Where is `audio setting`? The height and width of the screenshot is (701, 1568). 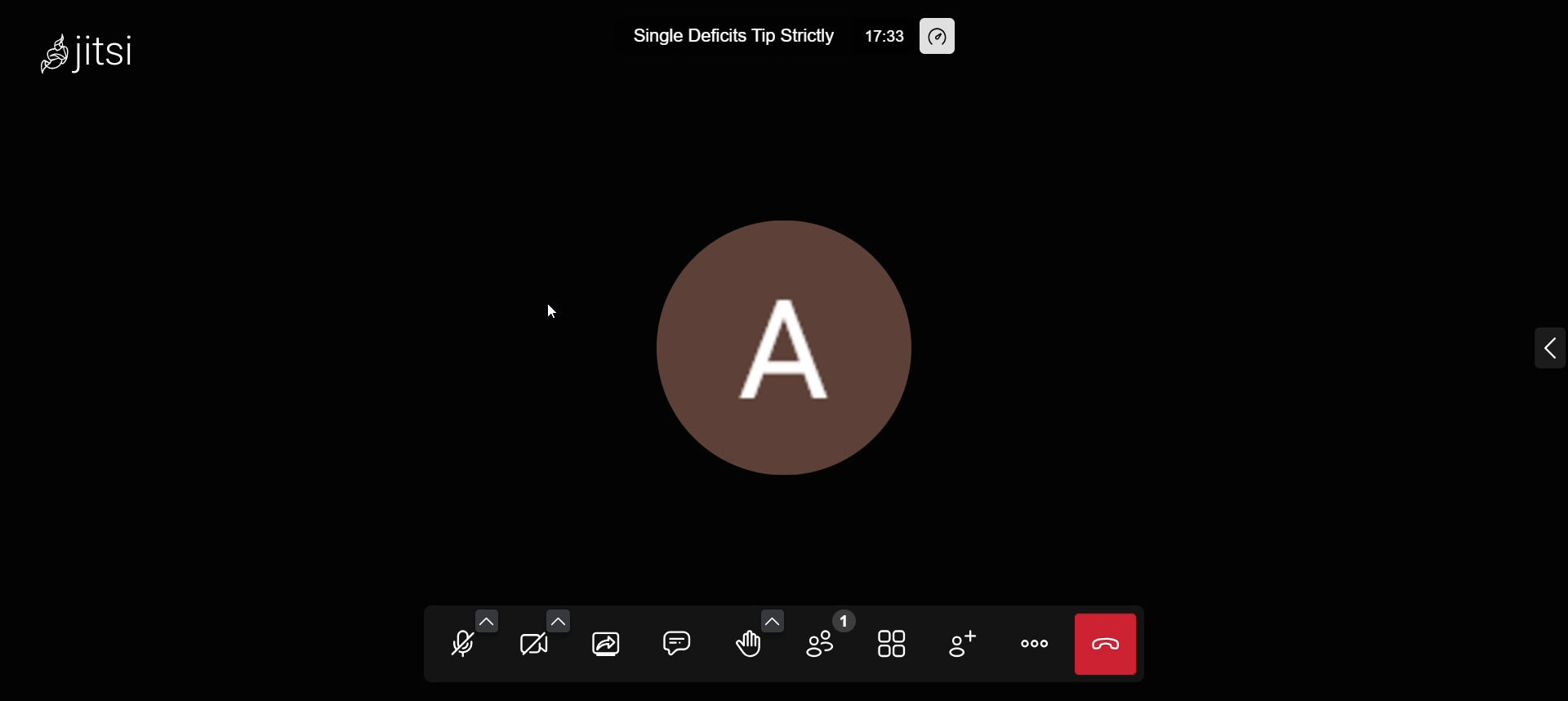 audio setting is located at coordinates (487, 620).